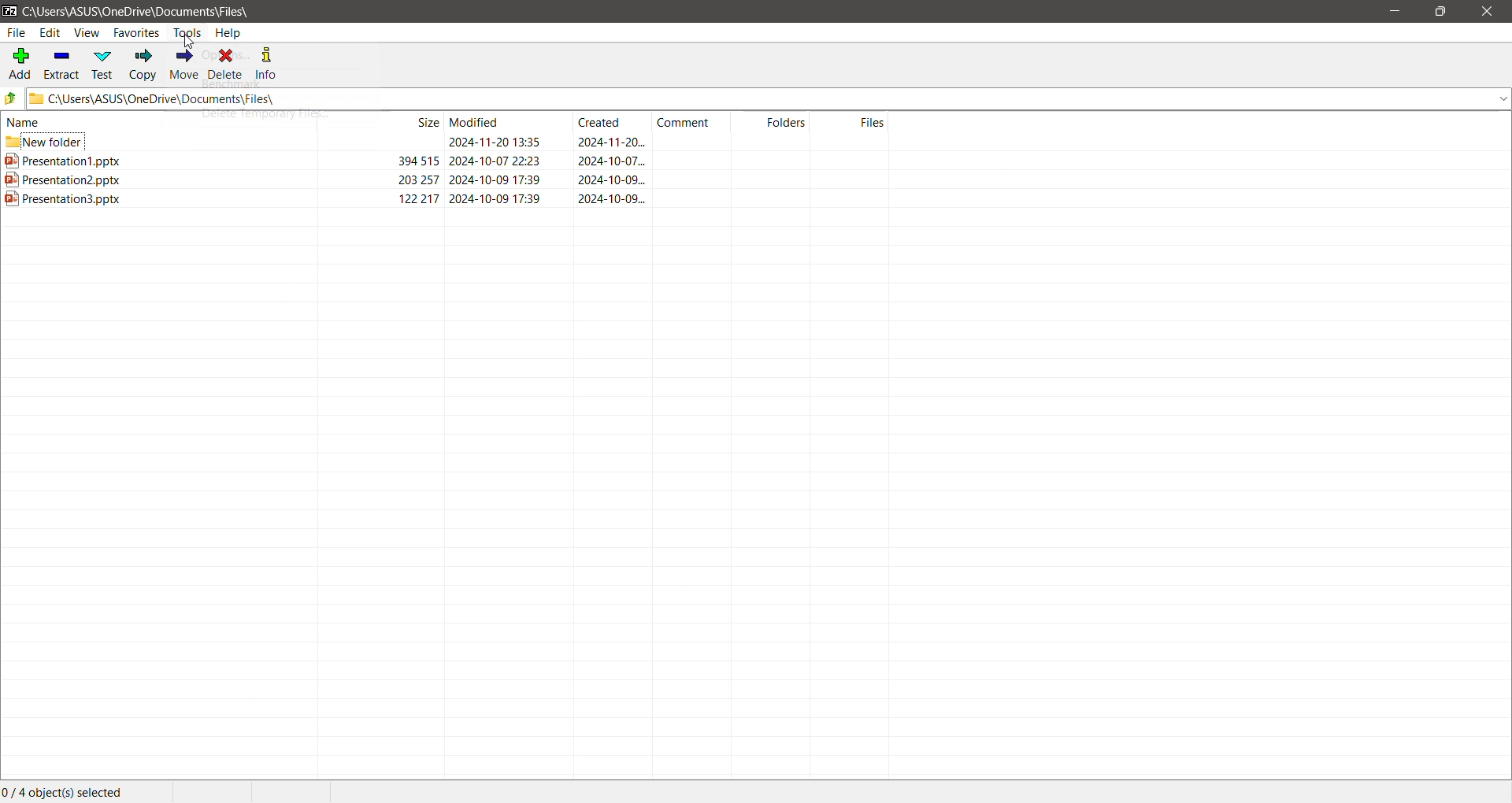 The image size is (1512, 803). Describe the element at coordinates (9, 12) in the screenshot. I see `Application Logo` at that location.